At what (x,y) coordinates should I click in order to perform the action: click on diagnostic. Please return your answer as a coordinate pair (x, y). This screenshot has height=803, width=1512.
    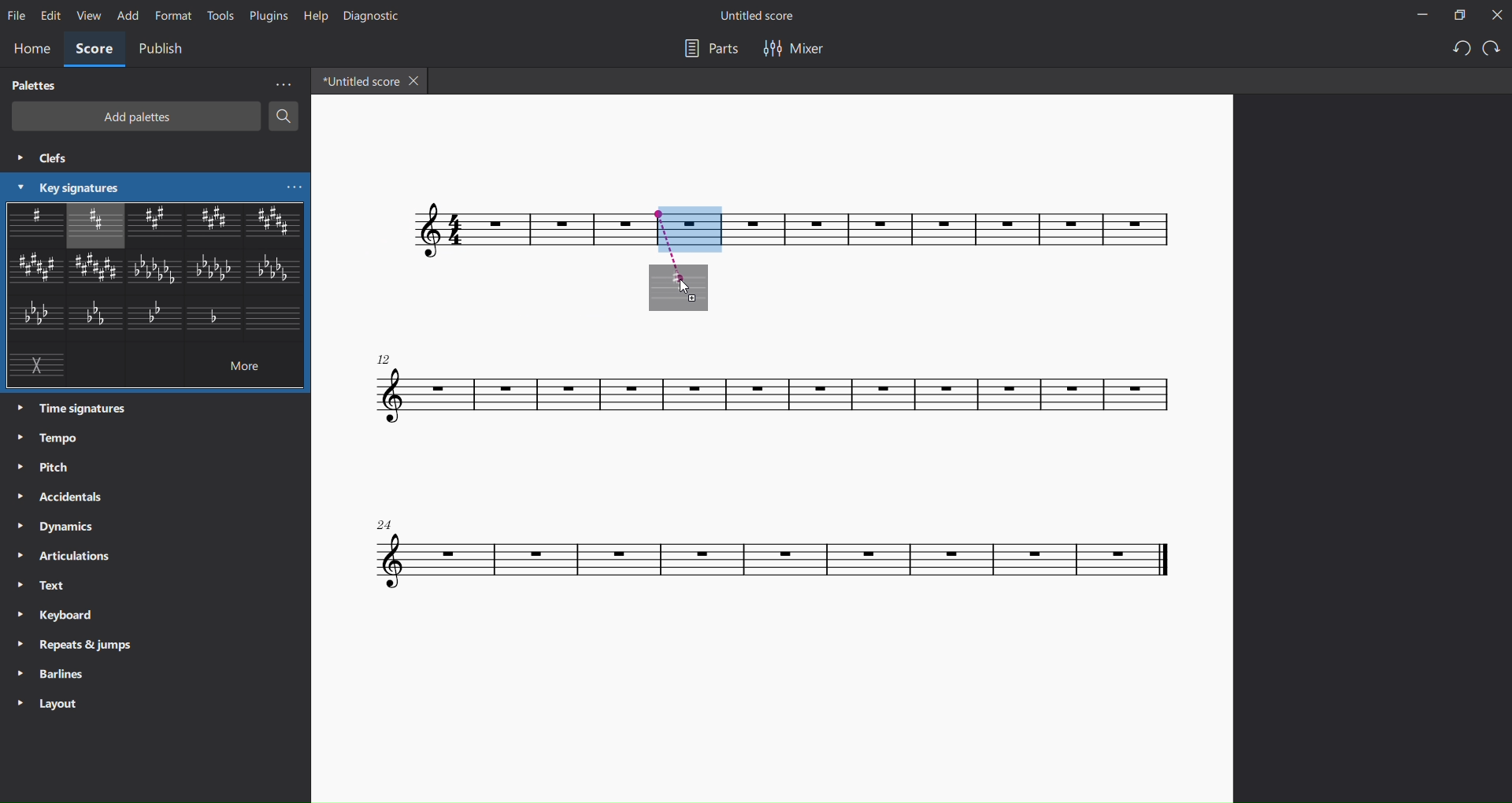
    Looking at the image, I should click on (374, 17).